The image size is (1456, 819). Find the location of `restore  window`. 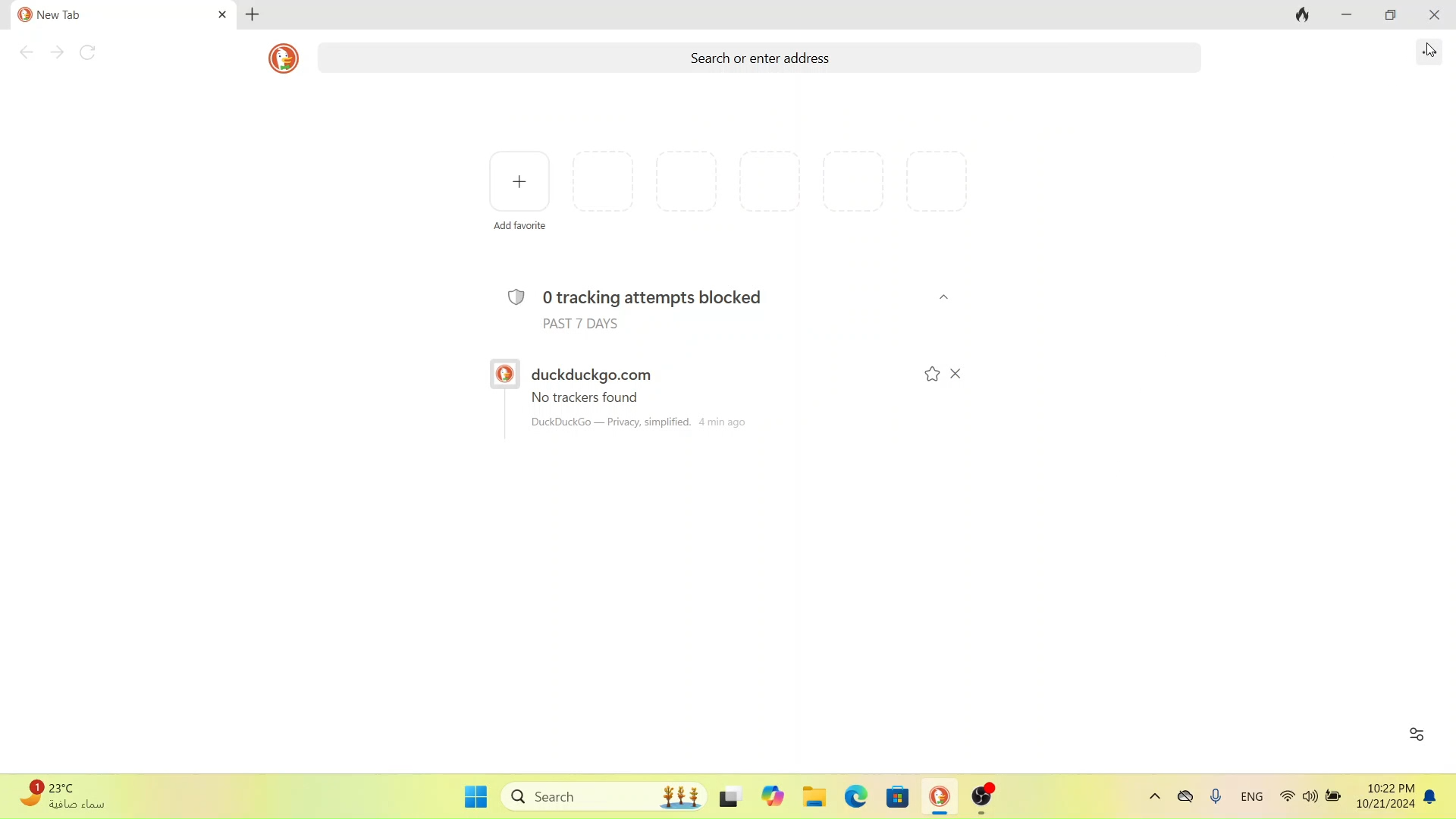

restore  window is located at coordinates (1386, 17).